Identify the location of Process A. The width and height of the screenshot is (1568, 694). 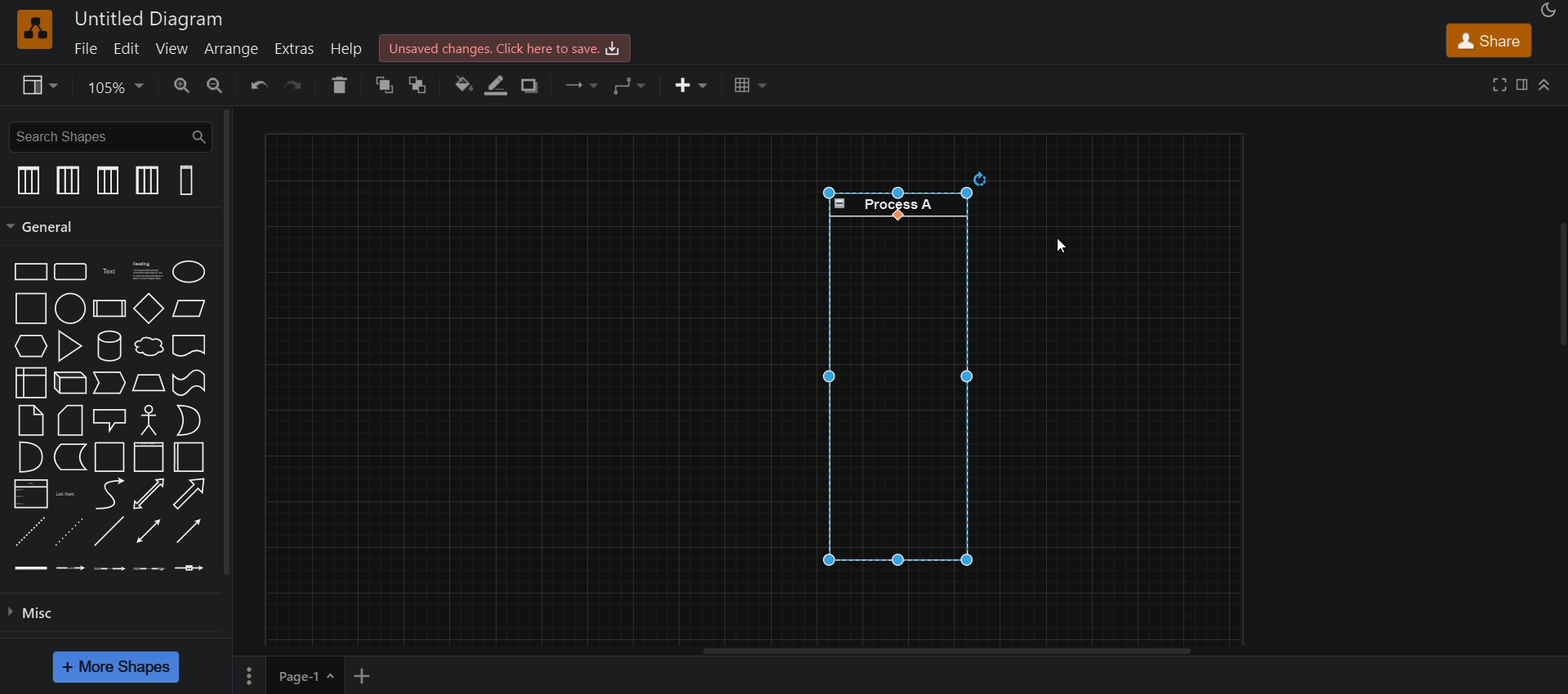
(898, 205).